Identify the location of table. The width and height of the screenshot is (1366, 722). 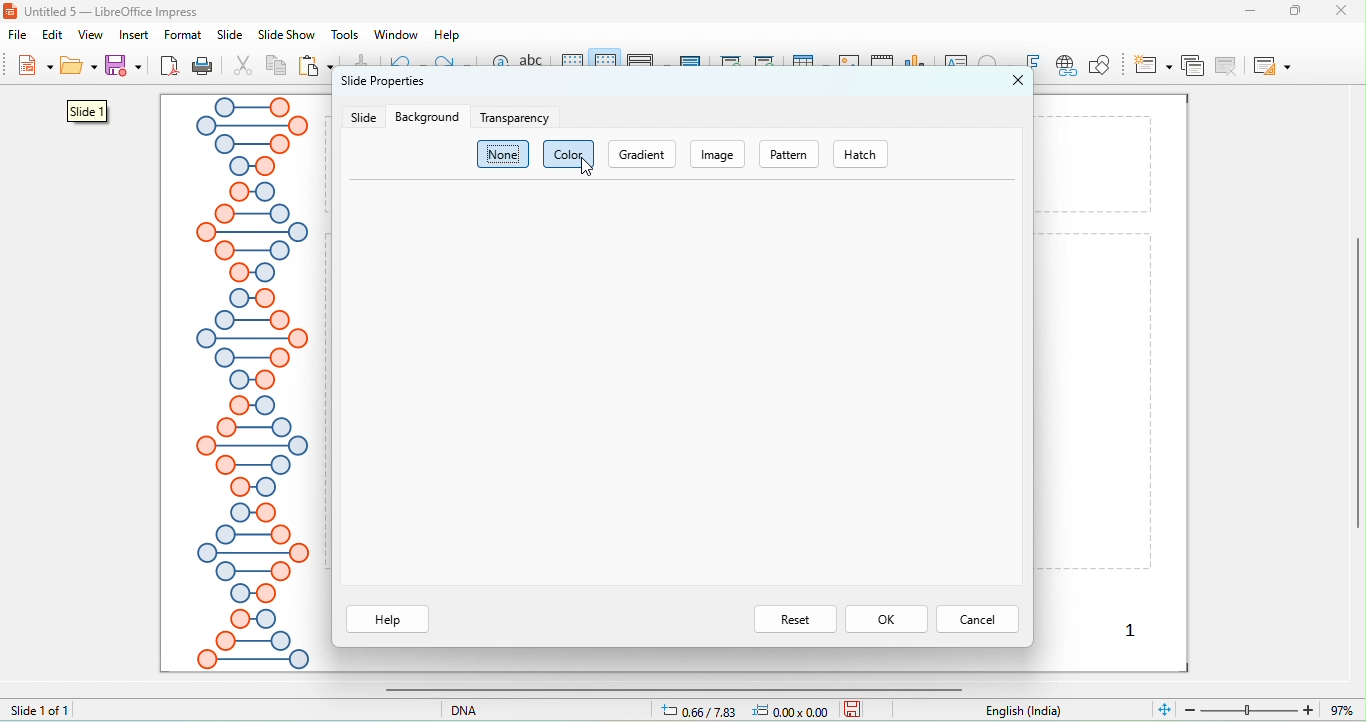
(810, 65).